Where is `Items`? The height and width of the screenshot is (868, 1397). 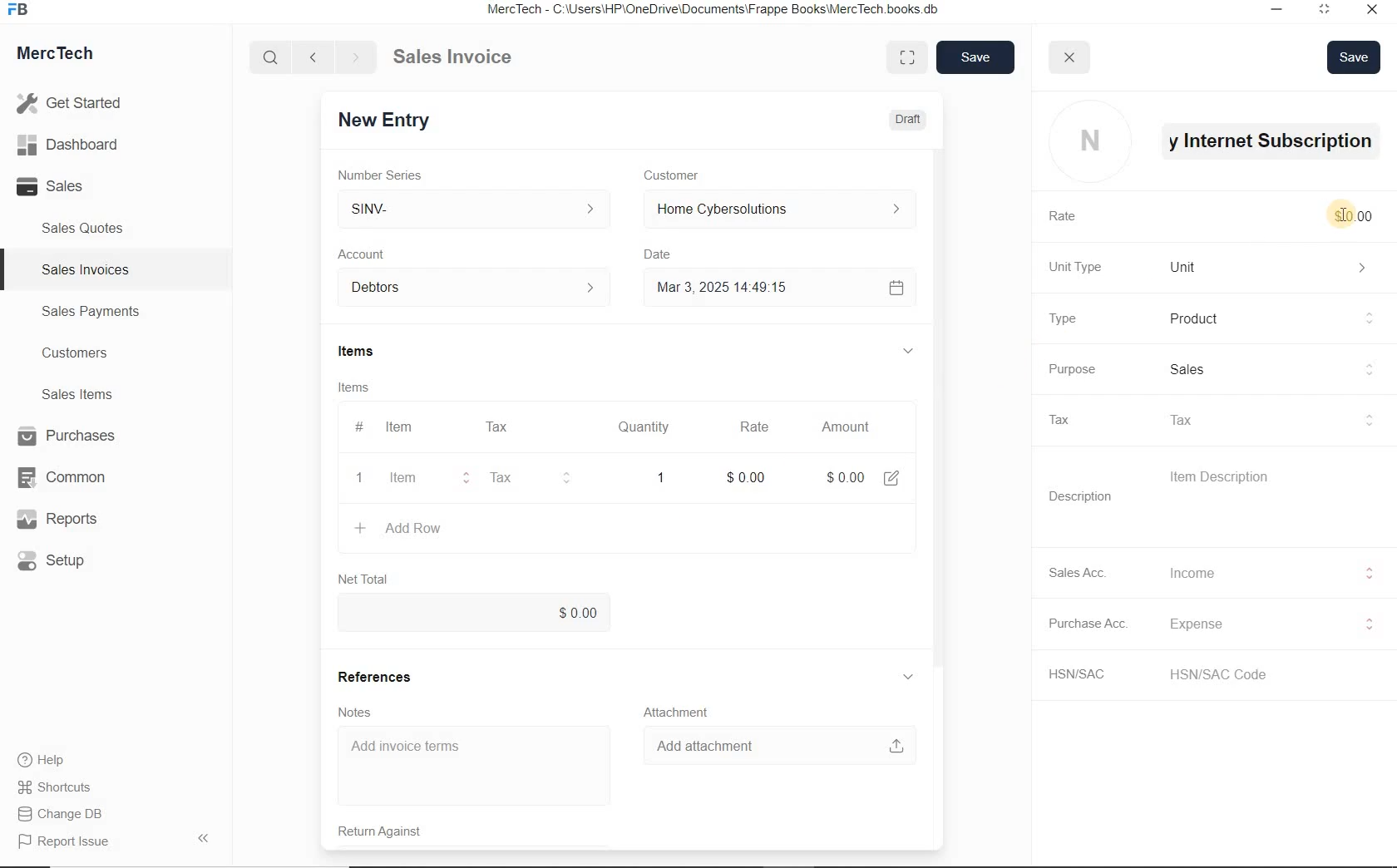 Items is located at coordinates (363, 387).